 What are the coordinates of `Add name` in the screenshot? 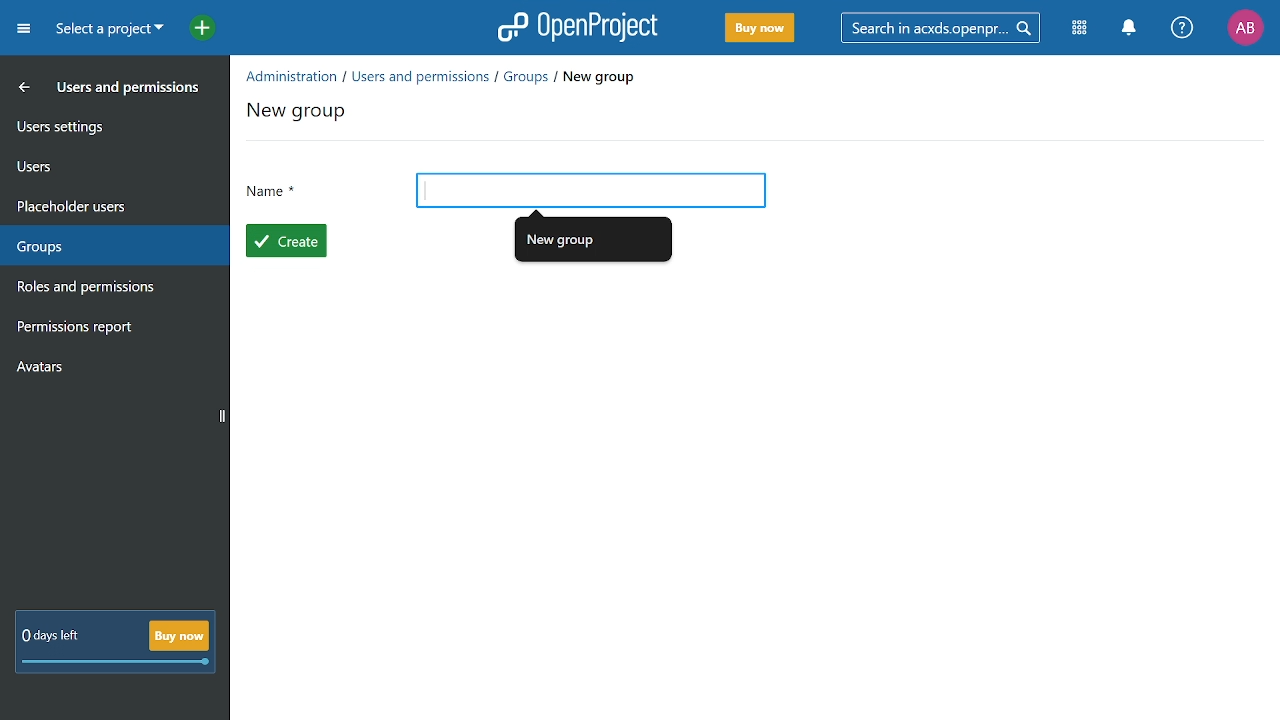 It's located at (590, 190).